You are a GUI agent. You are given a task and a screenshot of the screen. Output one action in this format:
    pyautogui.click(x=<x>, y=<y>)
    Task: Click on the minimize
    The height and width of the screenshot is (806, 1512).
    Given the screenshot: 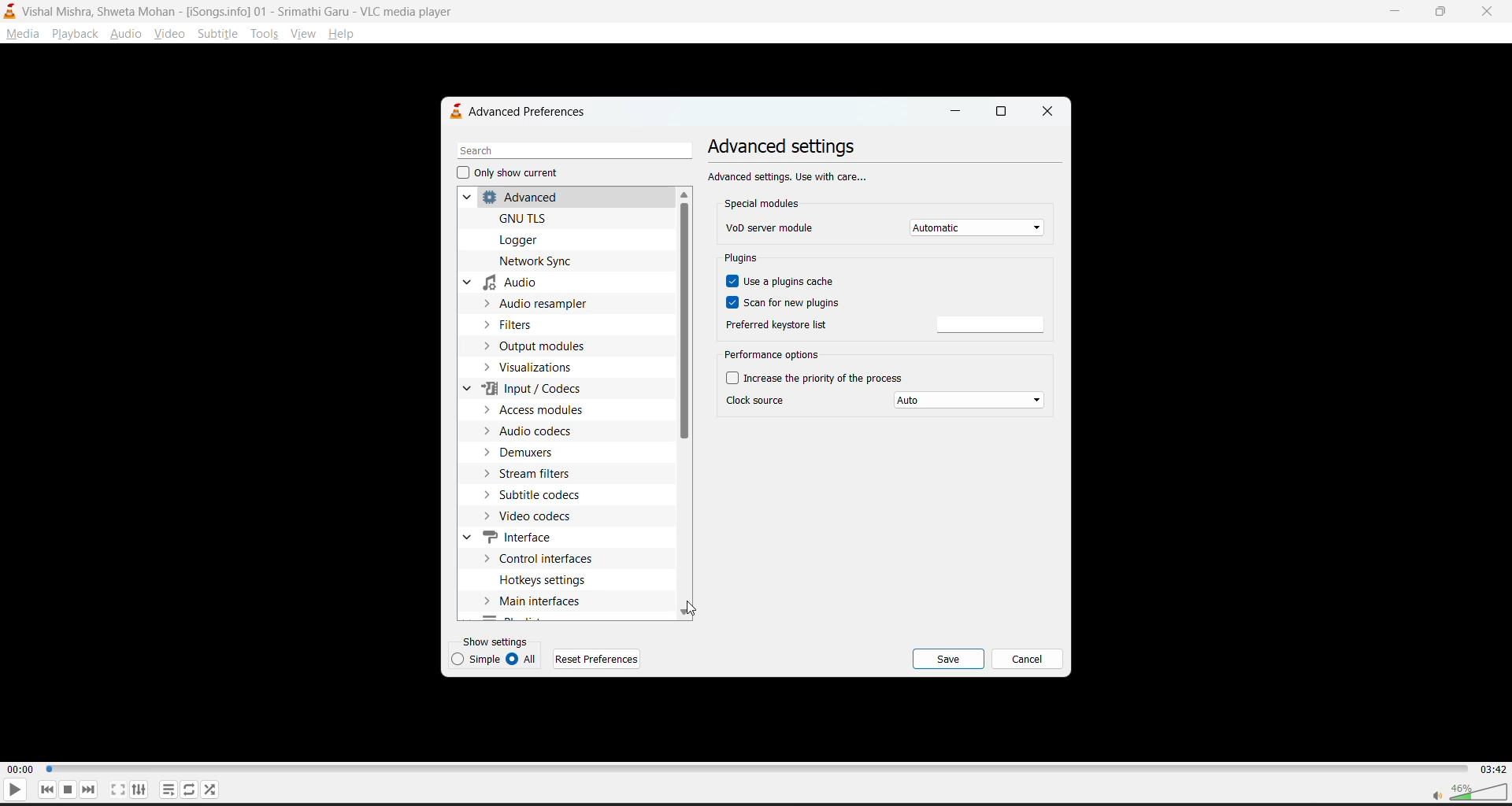 What is the action you would take?
    pyautogui.click(x=1396, y=12)
    